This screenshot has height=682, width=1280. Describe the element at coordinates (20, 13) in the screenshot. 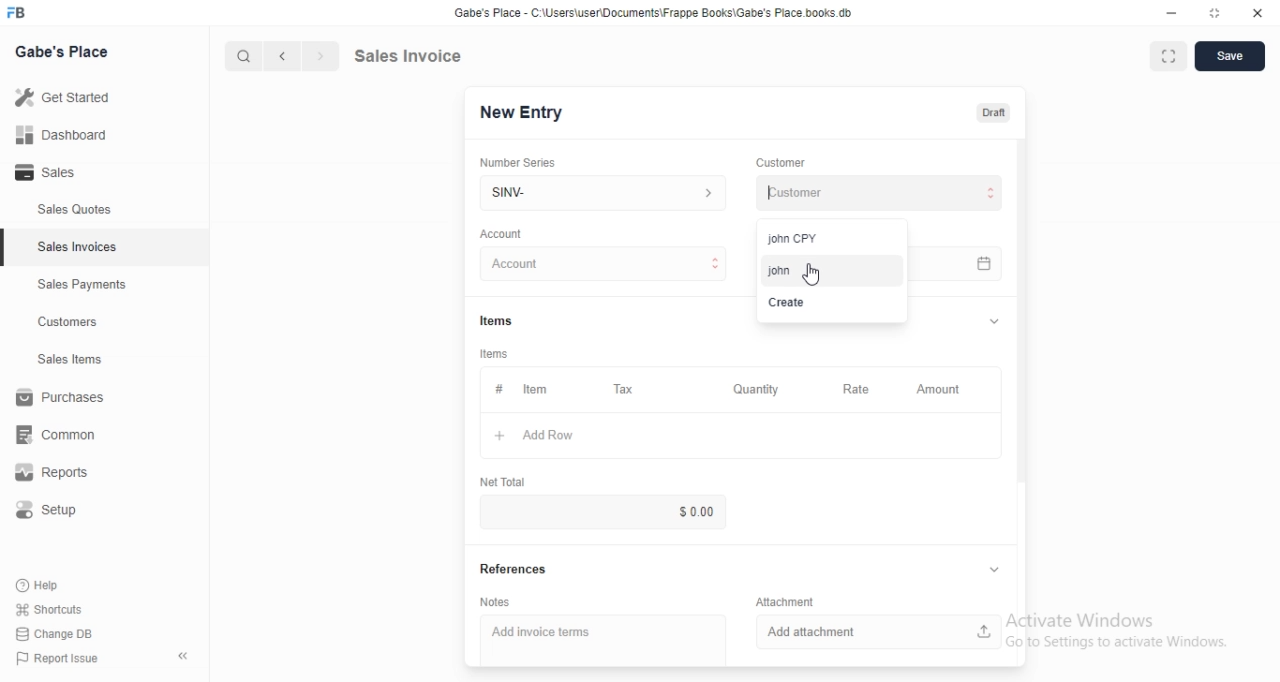

I see `FB logo` at that location.